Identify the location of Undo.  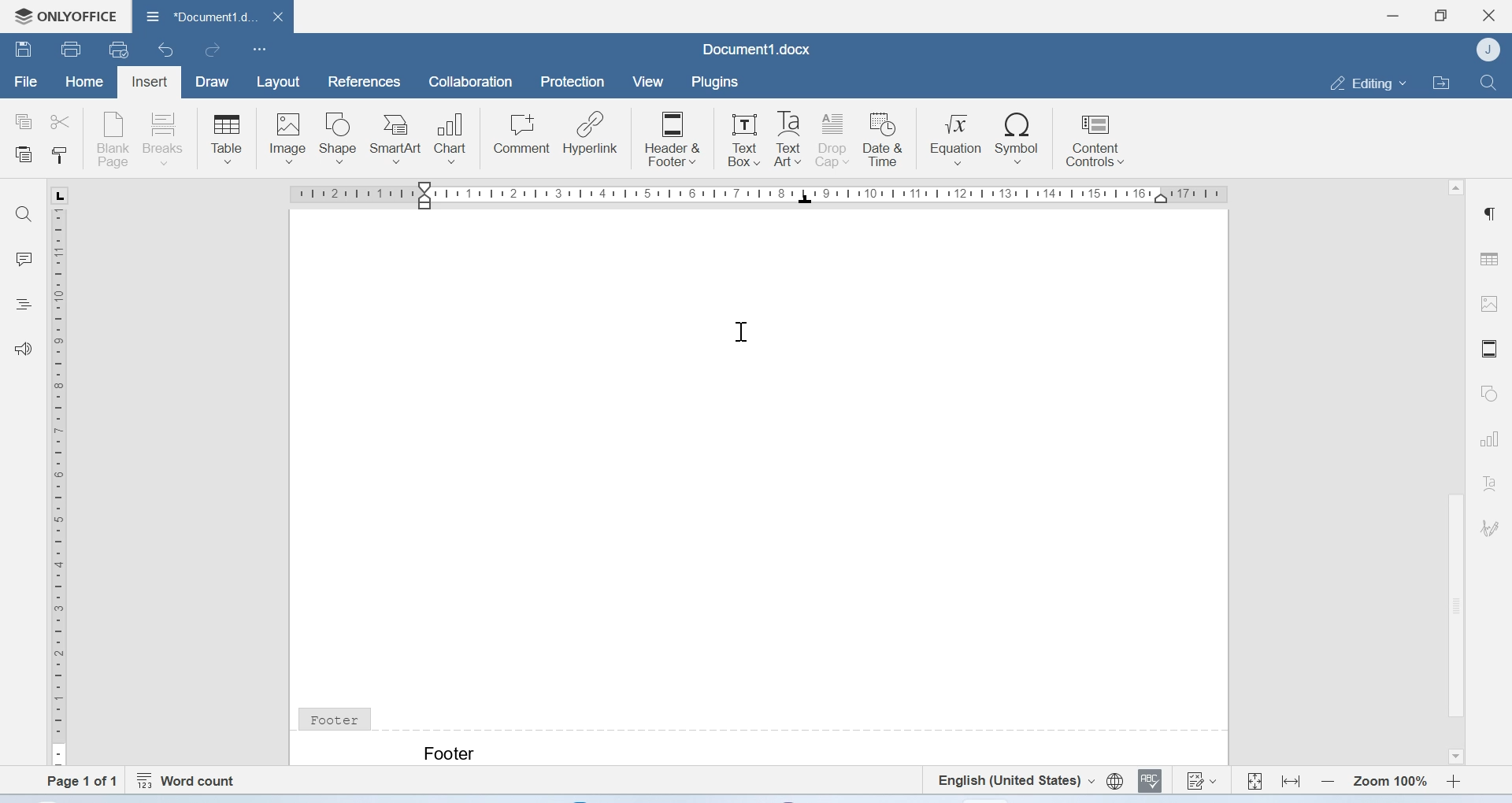
(168, 51).